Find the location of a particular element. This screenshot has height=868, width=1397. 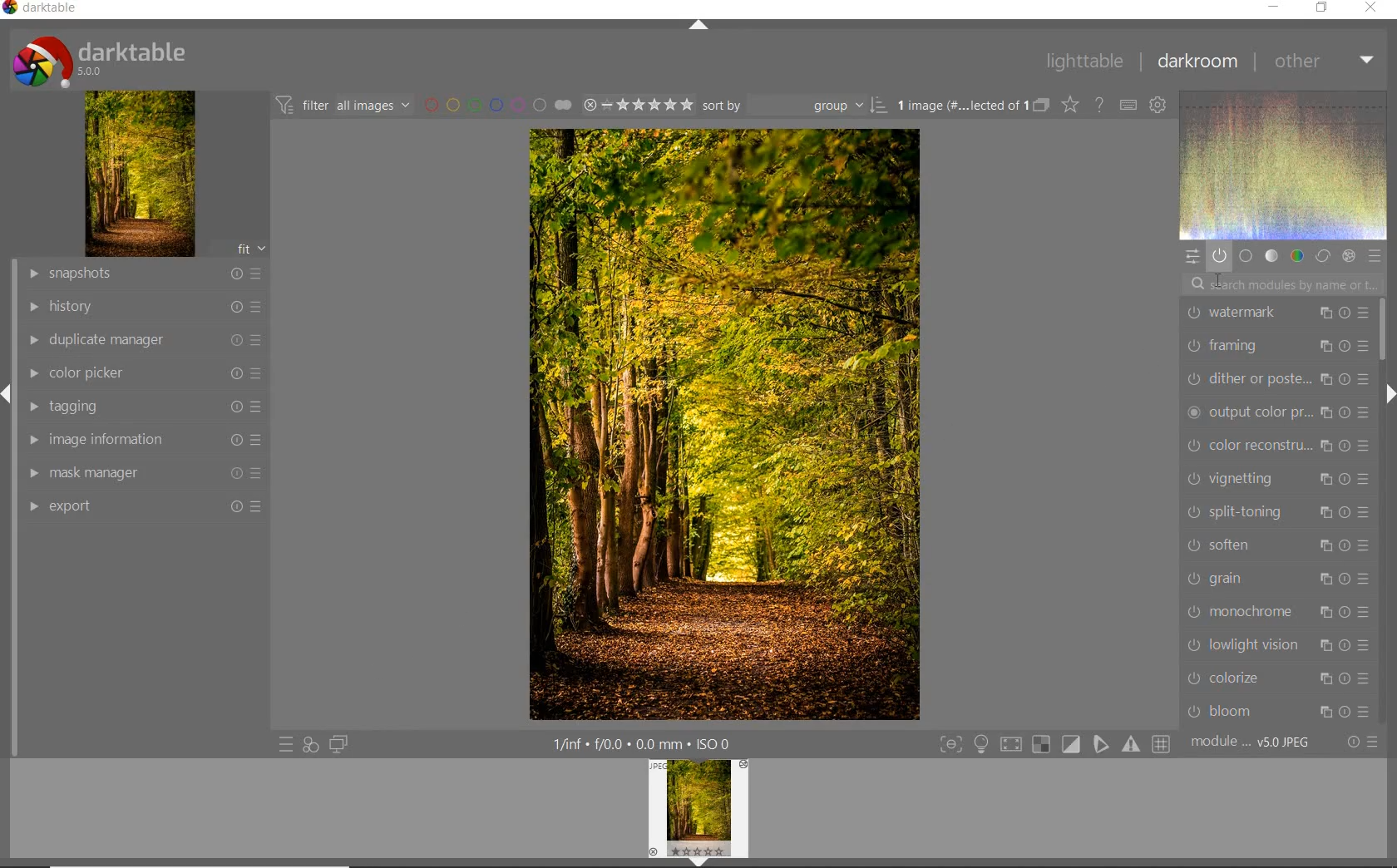

selected images is located at coordinates (959, 106).